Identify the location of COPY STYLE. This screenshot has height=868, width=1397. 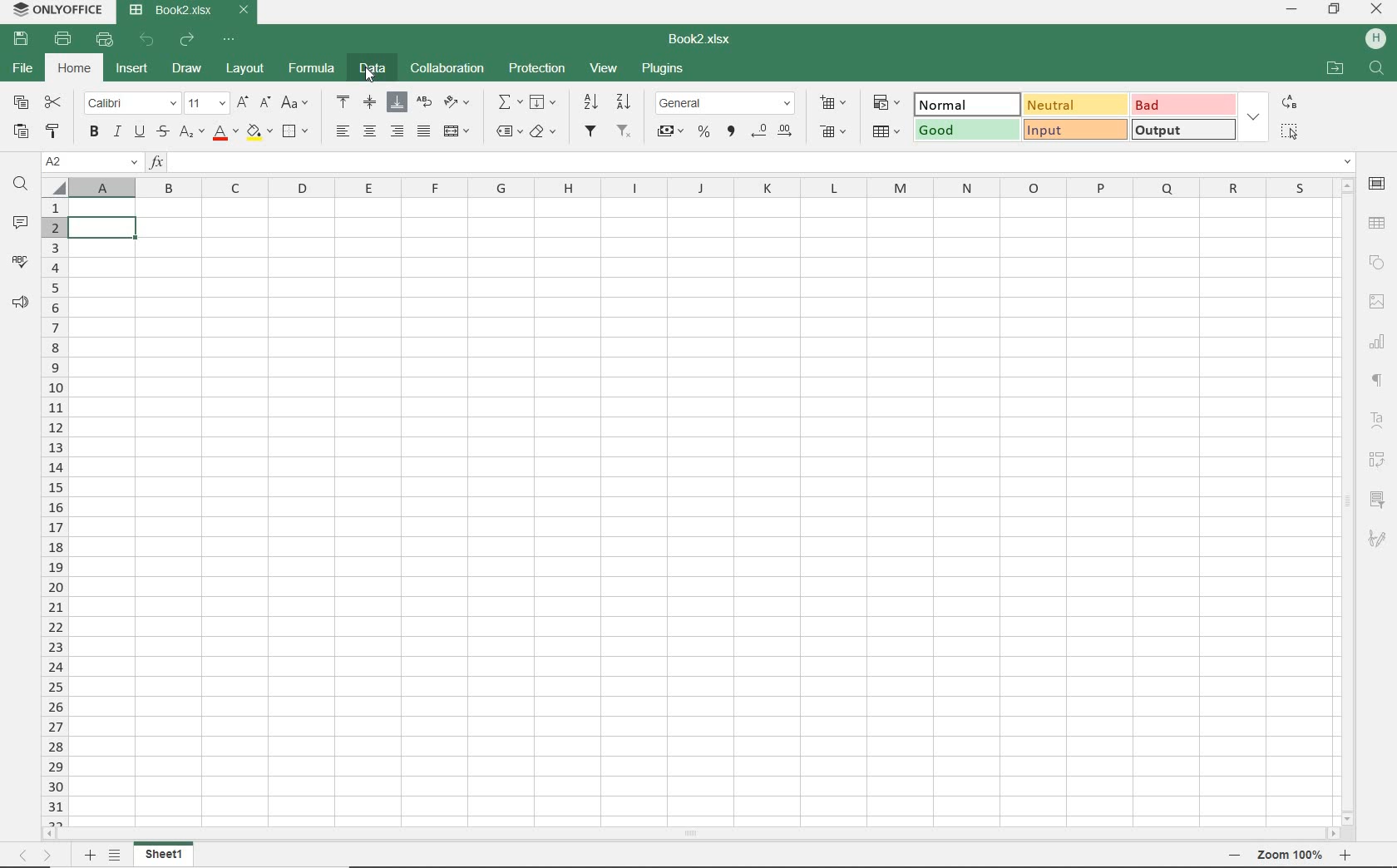
(54, 132).